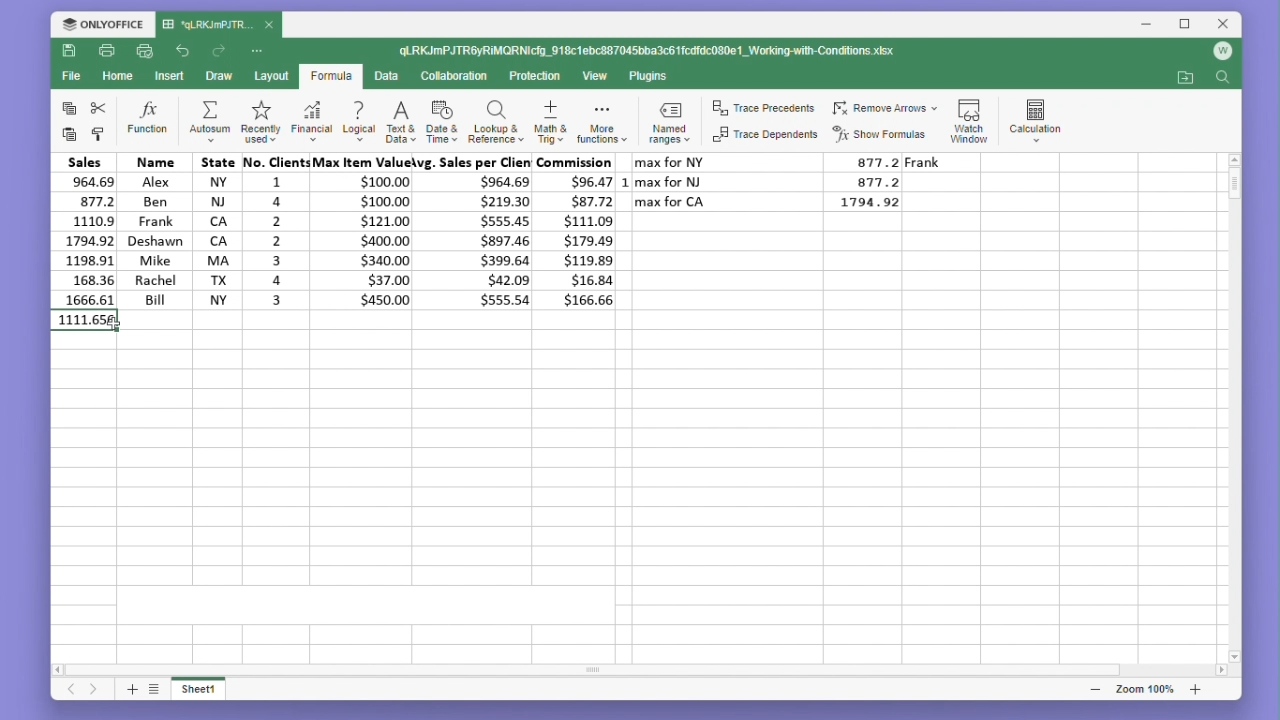 The height and width of the screenshot is (720, 1280). Describe the element at coordinates (453, 76) in the screenshot. I see `Collaboration` at that location.